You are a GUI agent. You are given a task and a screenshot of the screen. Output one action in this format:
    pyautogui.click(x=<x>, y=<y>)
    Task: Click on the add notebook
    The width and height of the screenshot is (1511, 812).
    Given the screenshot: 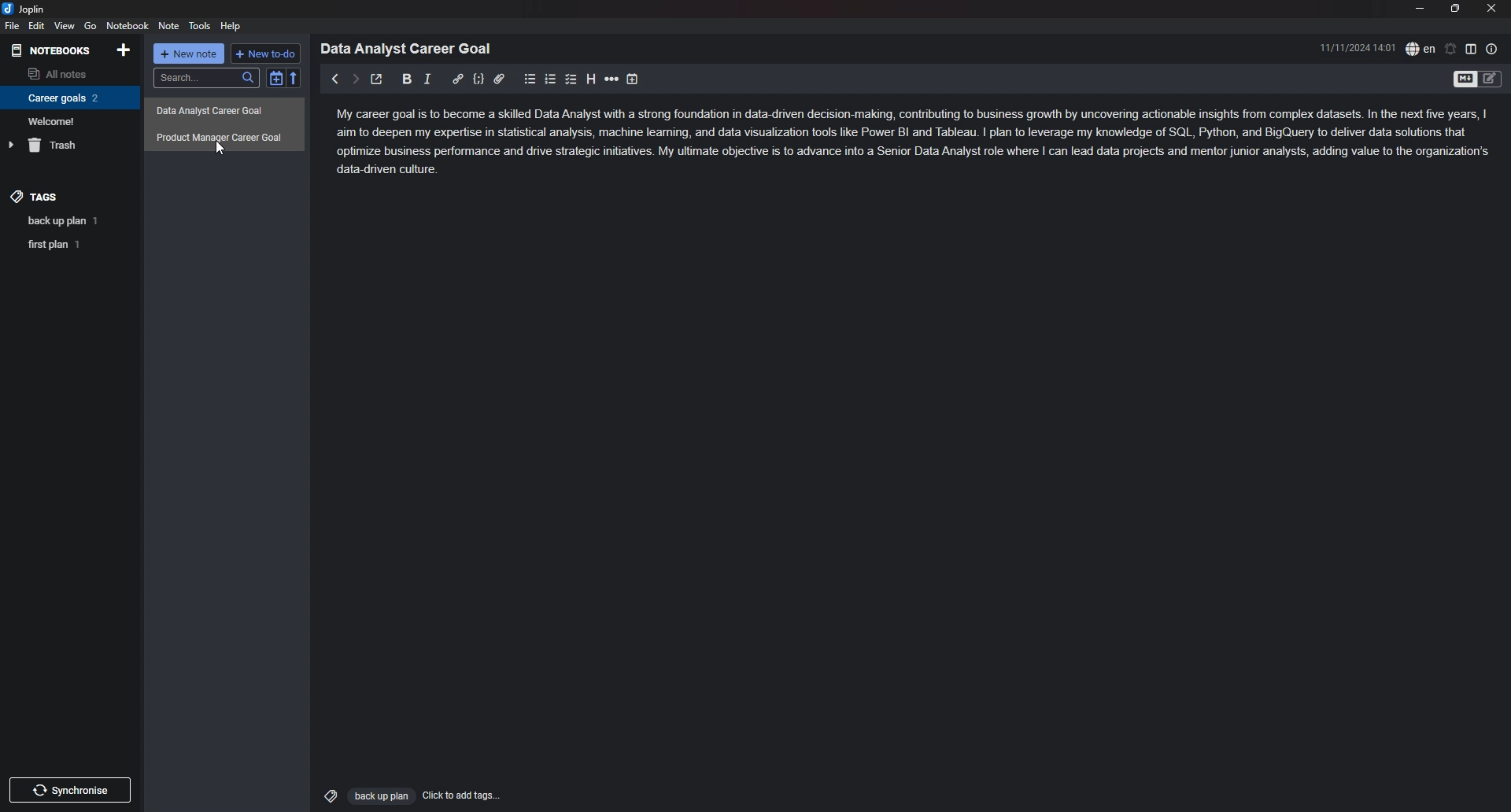 What is the action you would take?
    pyautogui.click(x=125, y=50)
    